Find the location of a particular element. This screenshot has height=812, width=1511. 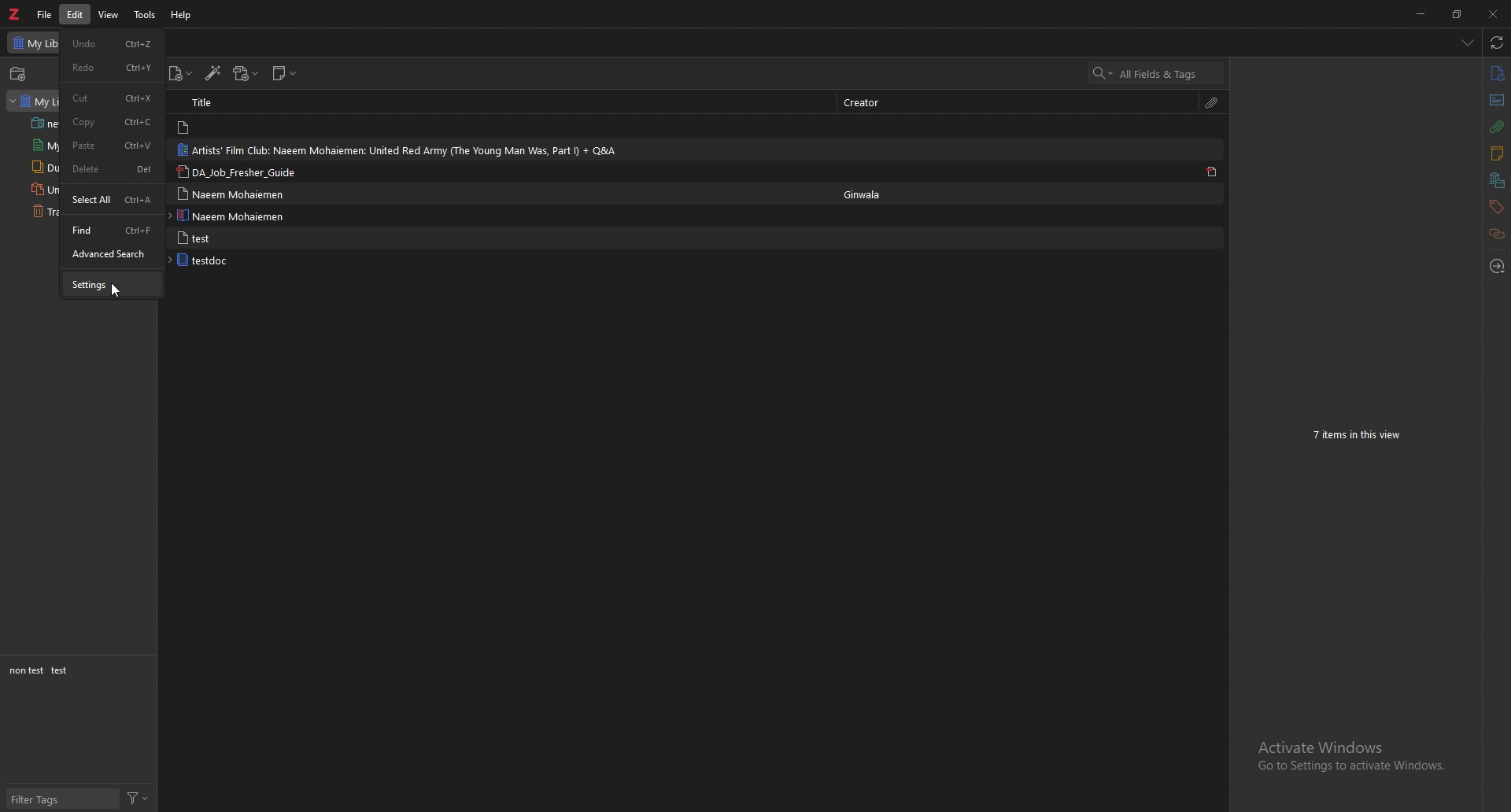

resize is located at coordinates (1456, 14).